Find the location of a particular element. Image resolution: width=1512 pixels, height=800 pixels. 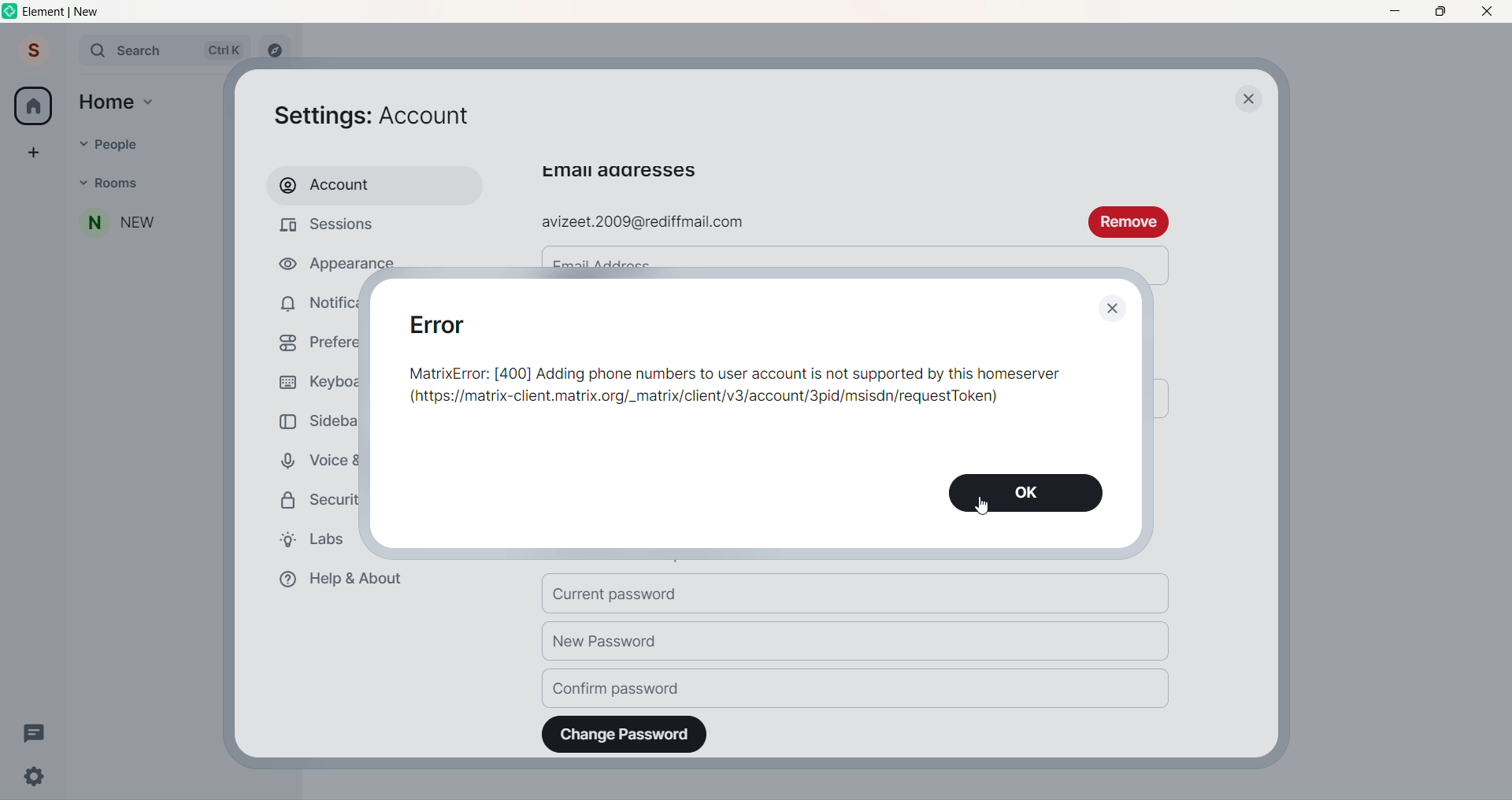

add email id is located at coordinates (795, 223).